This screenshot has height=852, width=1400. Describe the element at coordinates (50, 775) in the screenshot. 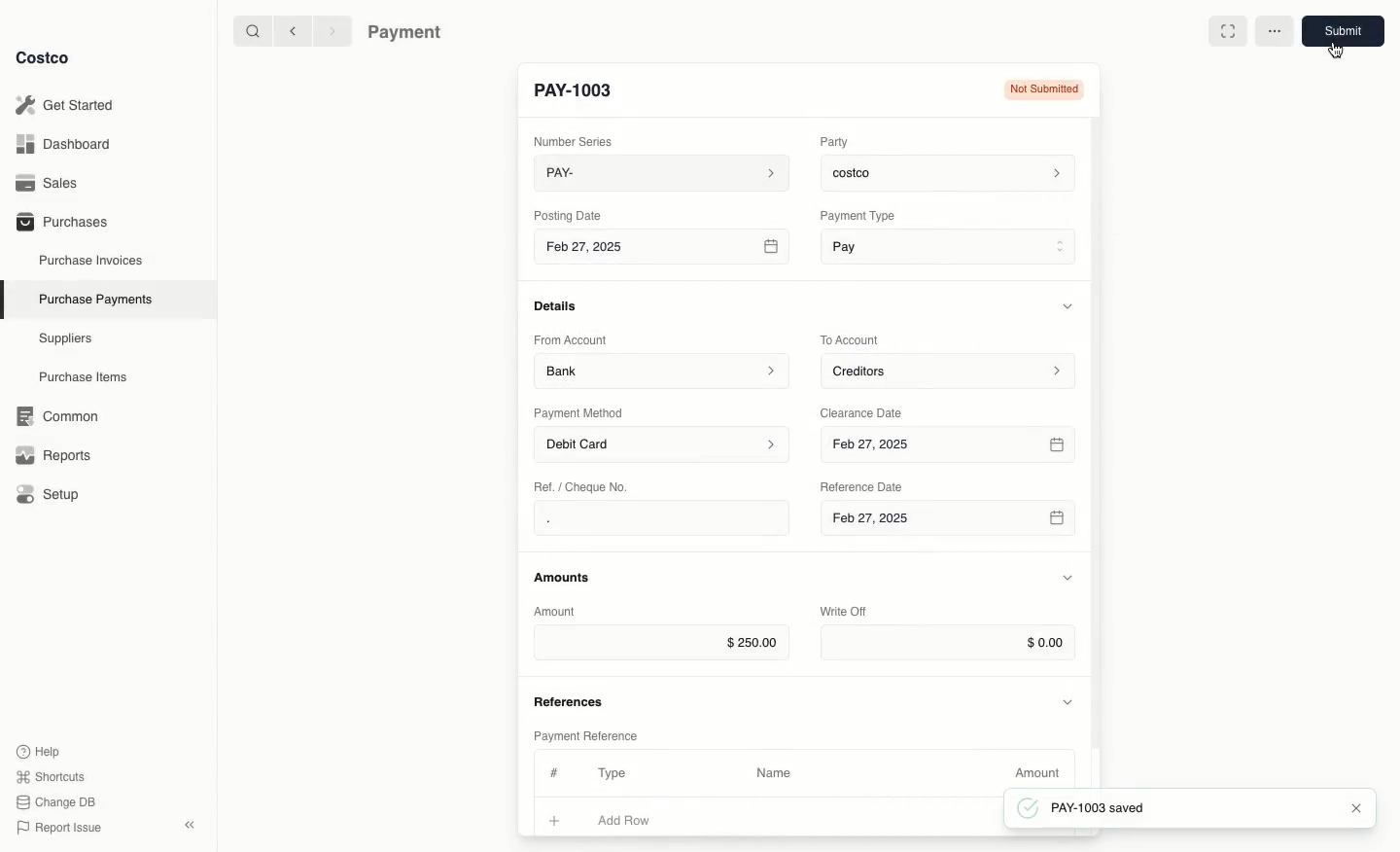

I see `Shortcuts` at that location.